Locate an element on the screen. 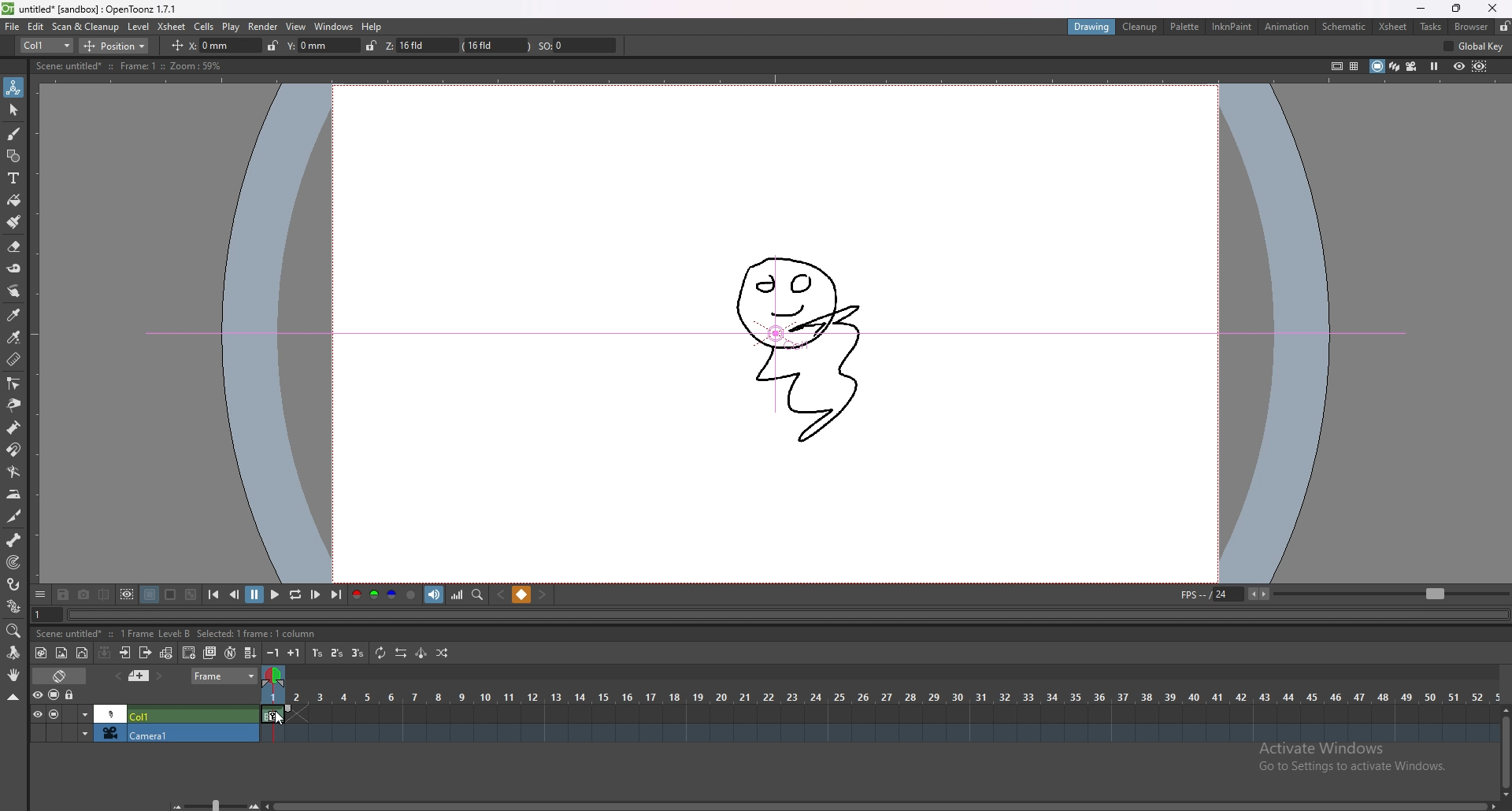 This screenshot has height=811, width=1512. cleanup is located at coordinates (1140, 27).